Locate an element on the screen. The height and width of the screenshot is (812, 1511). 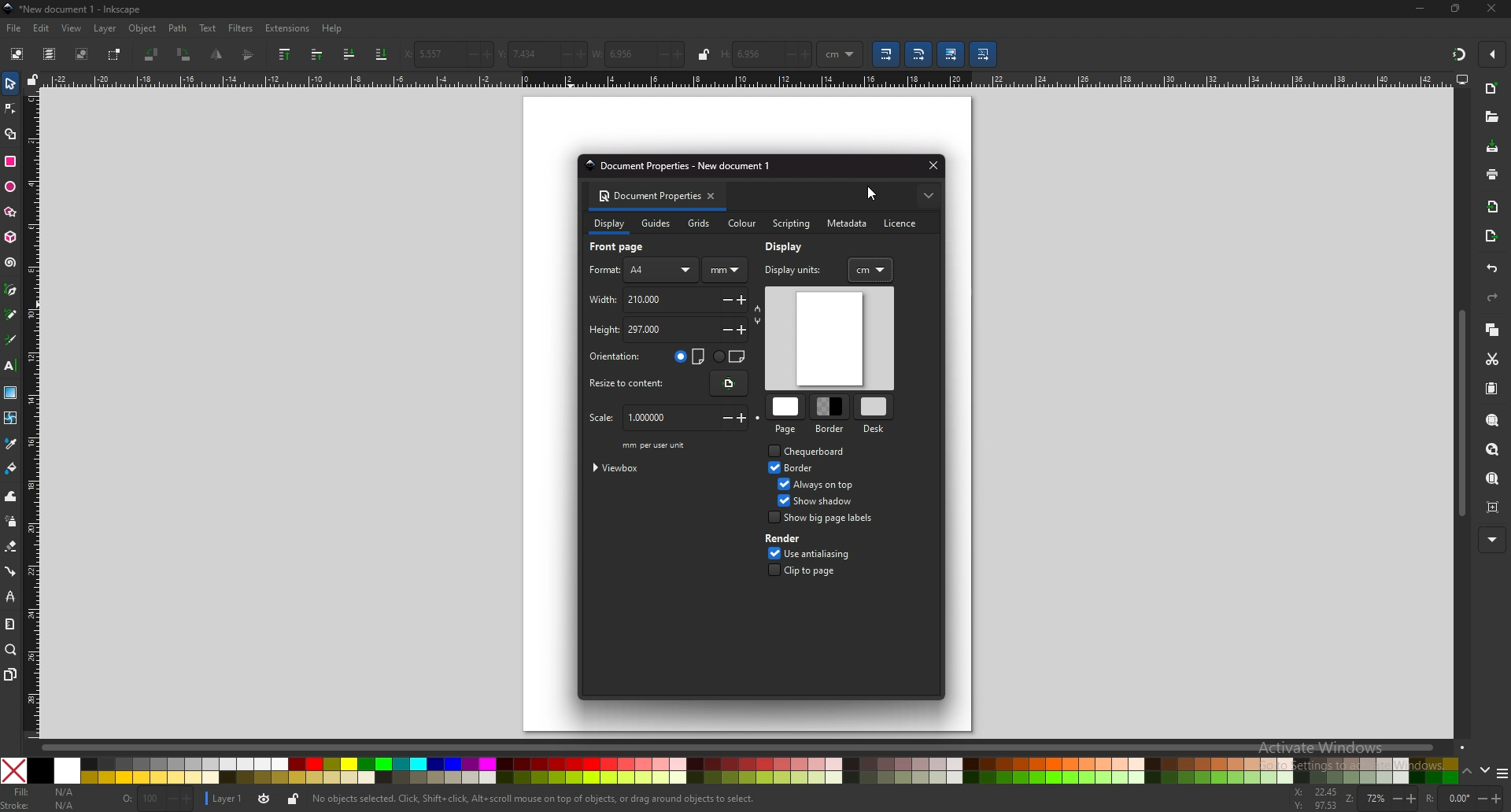
cut is located at coordinates (1492, 360).